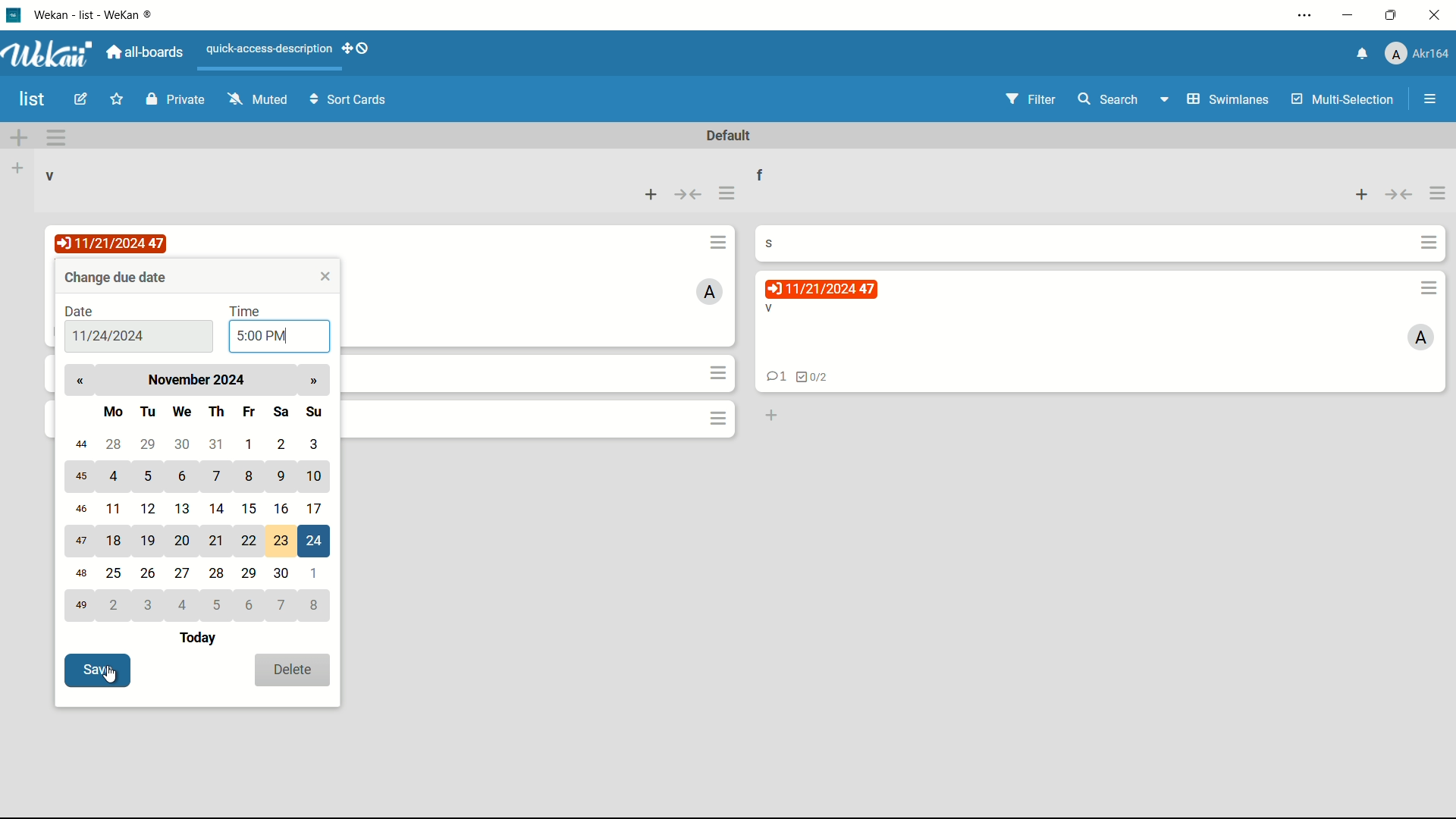 This screenshot has height=819, width=1456. What do you see at coordinates (124, 684) in the screenshot?
I see `cursor` at bounding box center [124, 684].